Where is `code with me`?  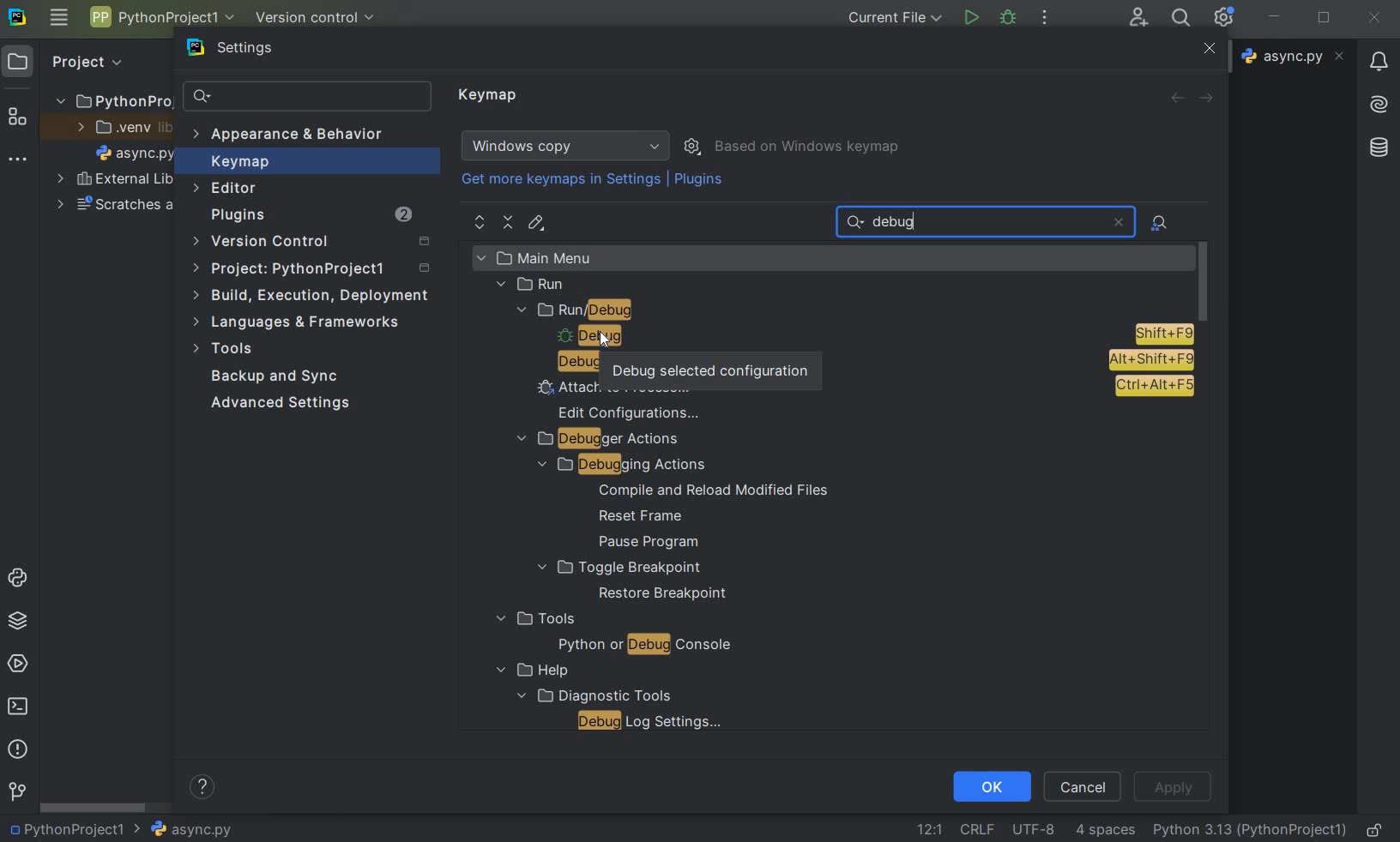 code with me is located at coordinates (1138, 16).